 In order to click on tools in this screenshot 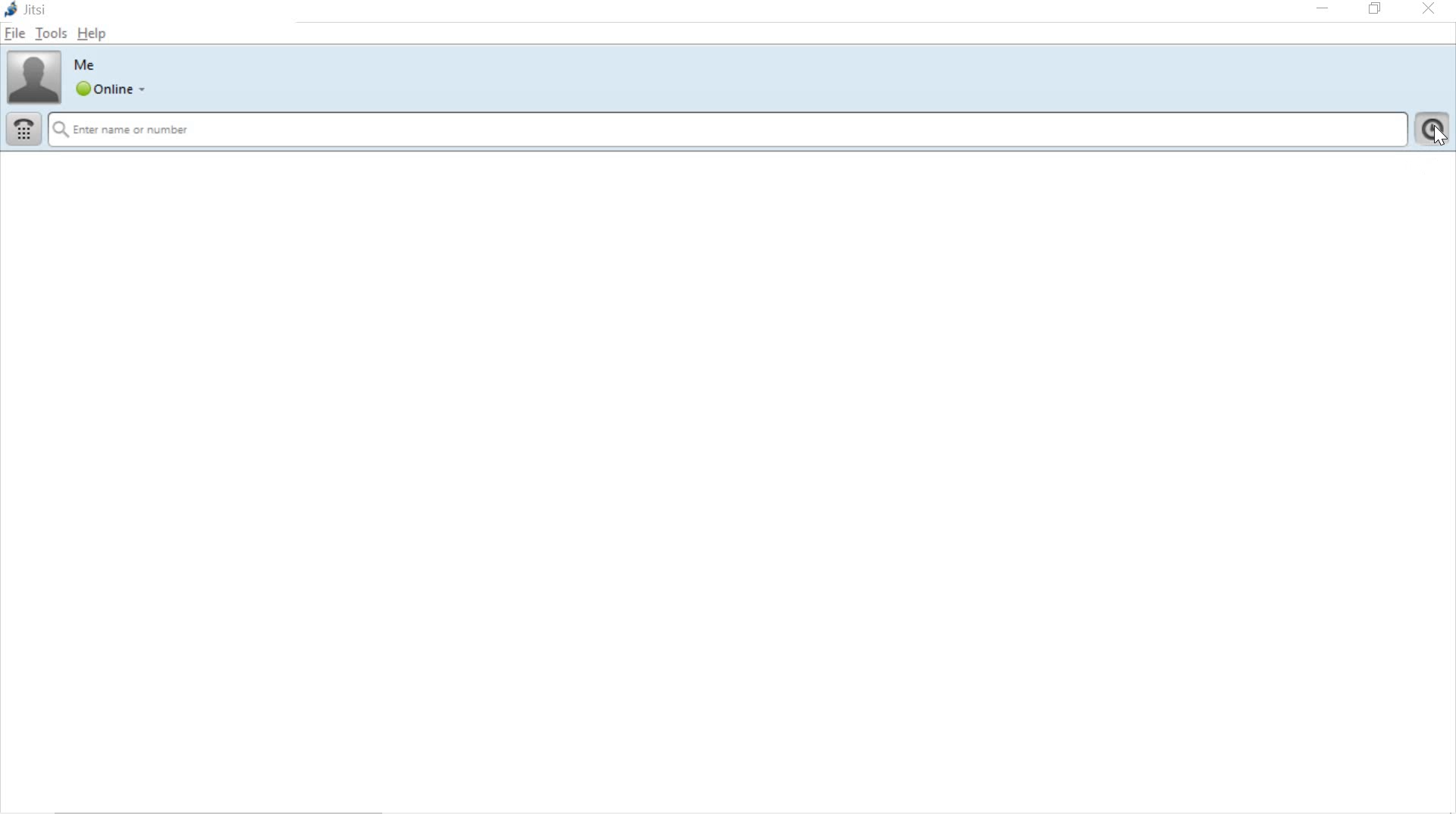, I will do `click(49, 33)`.